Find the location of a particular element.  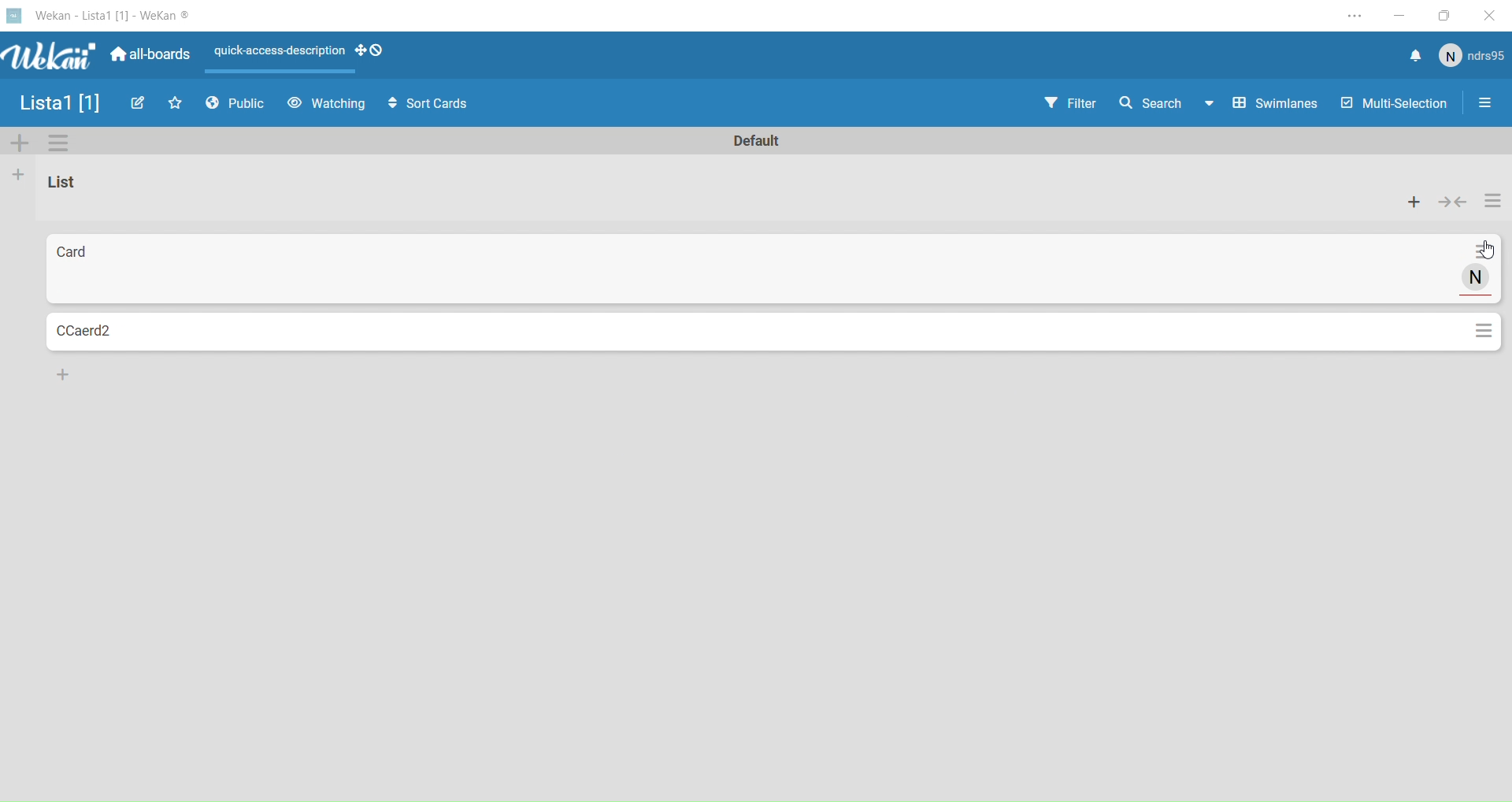

User is located at coordinates (1469, 56).